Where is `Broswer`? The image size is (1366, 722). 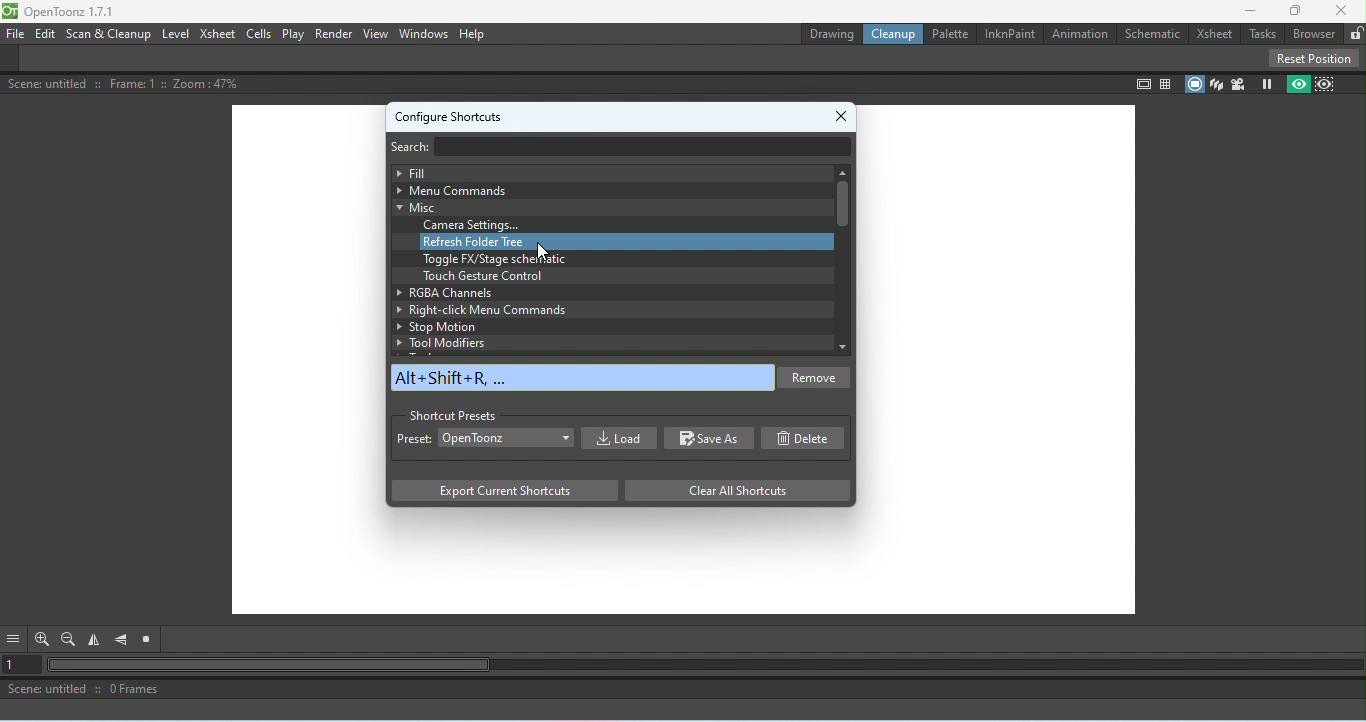 Broswer is located at coordinates (1315, 33).